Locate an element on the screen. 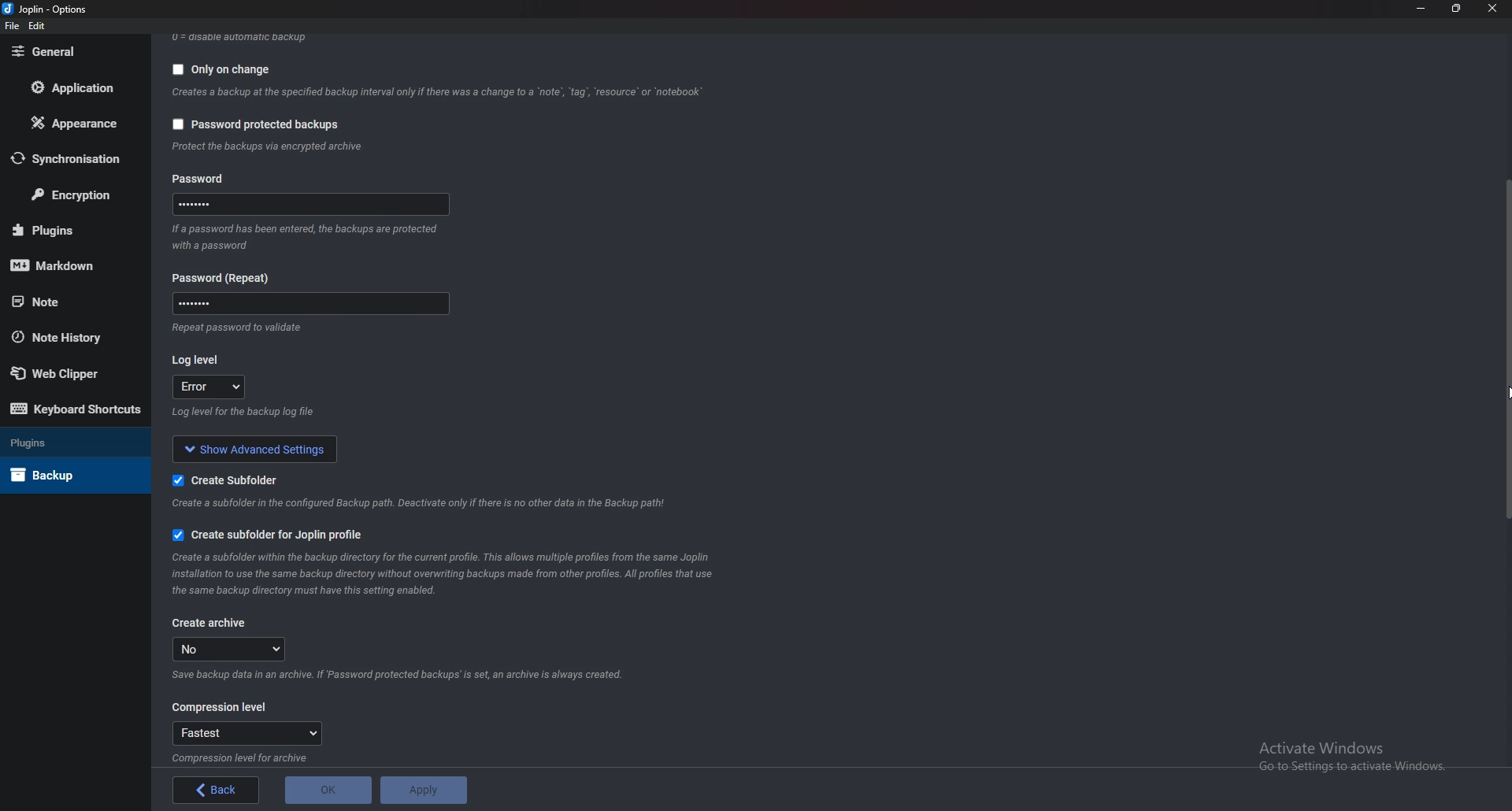  Plugins is located at coordinates (68, 230).